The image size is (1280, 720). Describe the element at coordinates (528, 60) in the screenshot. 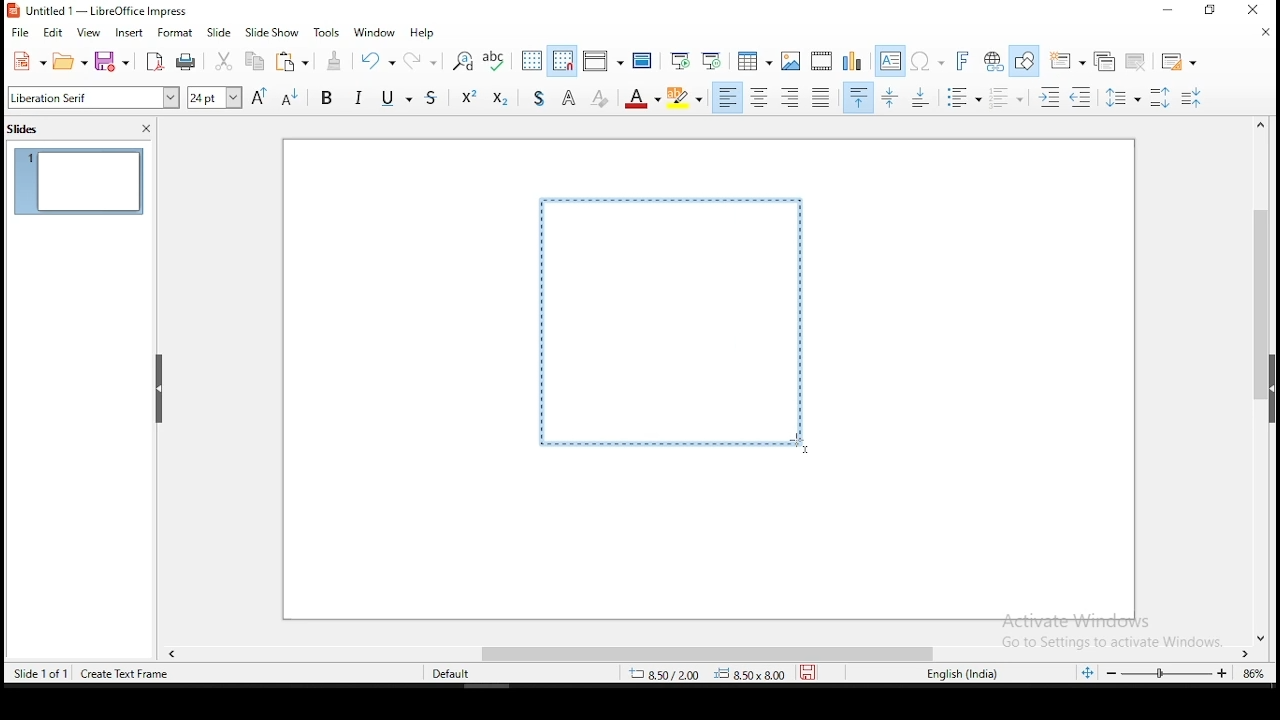

I see `display grid` at that location.